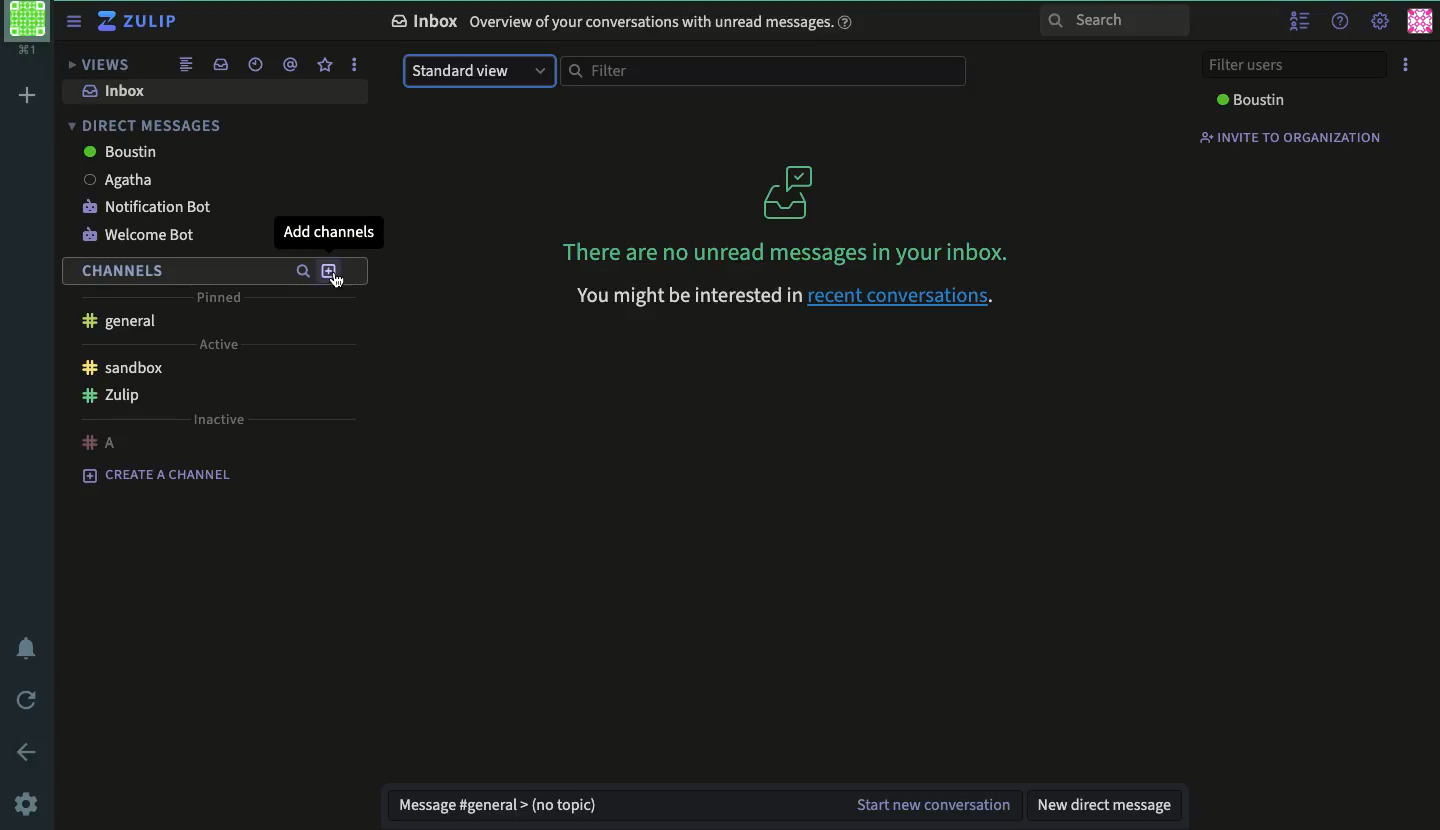 The height and width of the screenshot is (830, 1440). What do you see at coordinates (353, 67) in the screenshot?
I see `options` at bounding box center [353, 67].